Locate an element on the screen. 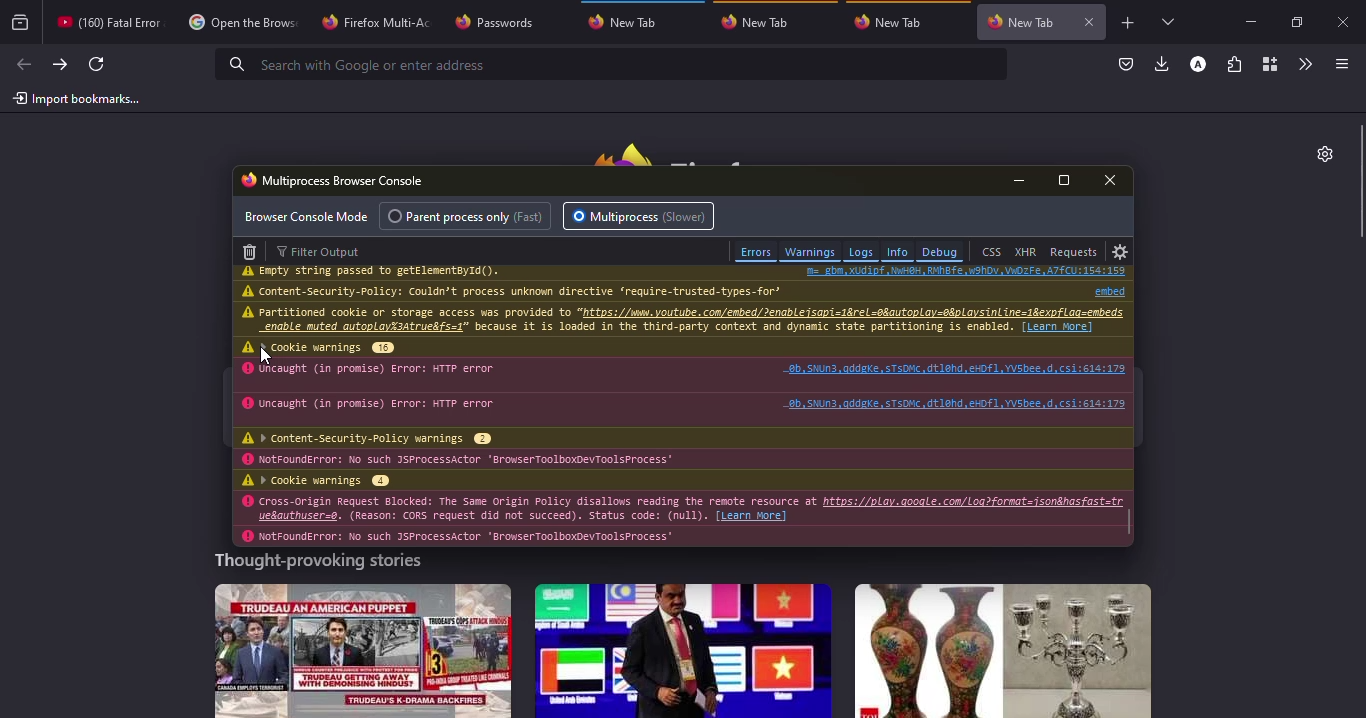  reload is located at coordinates (96, 64).